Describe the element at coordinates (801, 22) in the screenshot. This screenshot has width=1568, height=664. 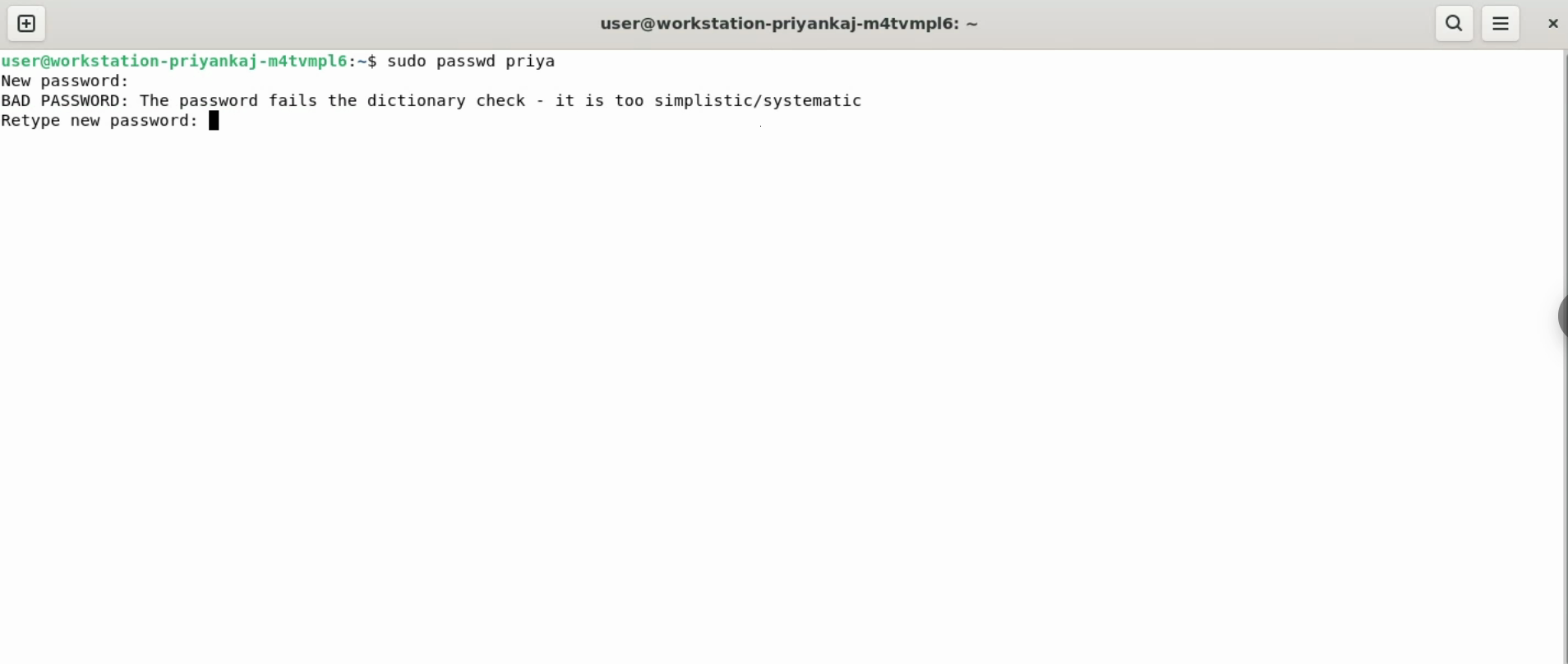
I see `user@workstation-priyankaj-m4tvmpl6:-` at that location.